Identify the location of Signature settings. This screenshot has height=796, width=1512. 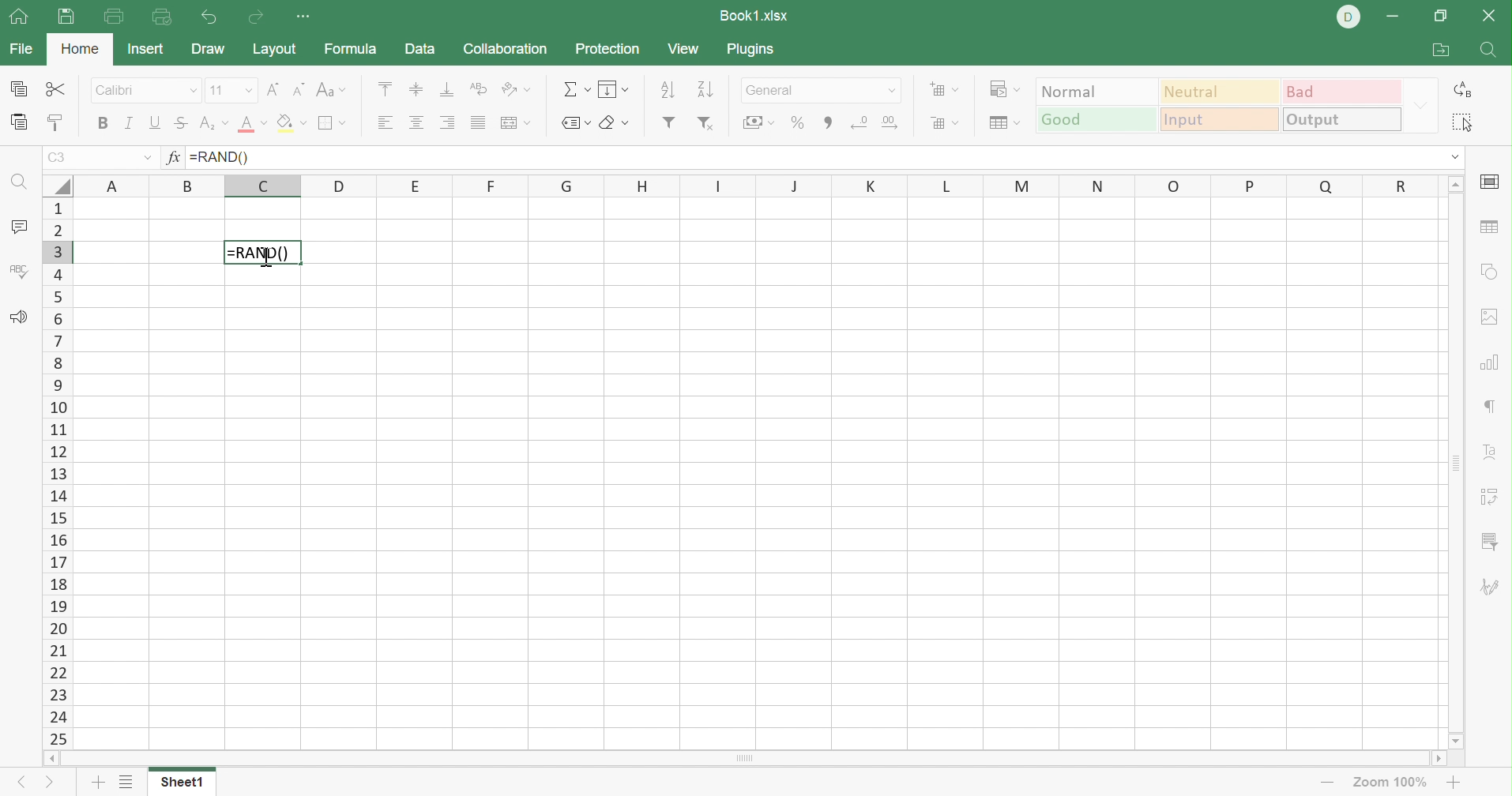
(1493, 591).